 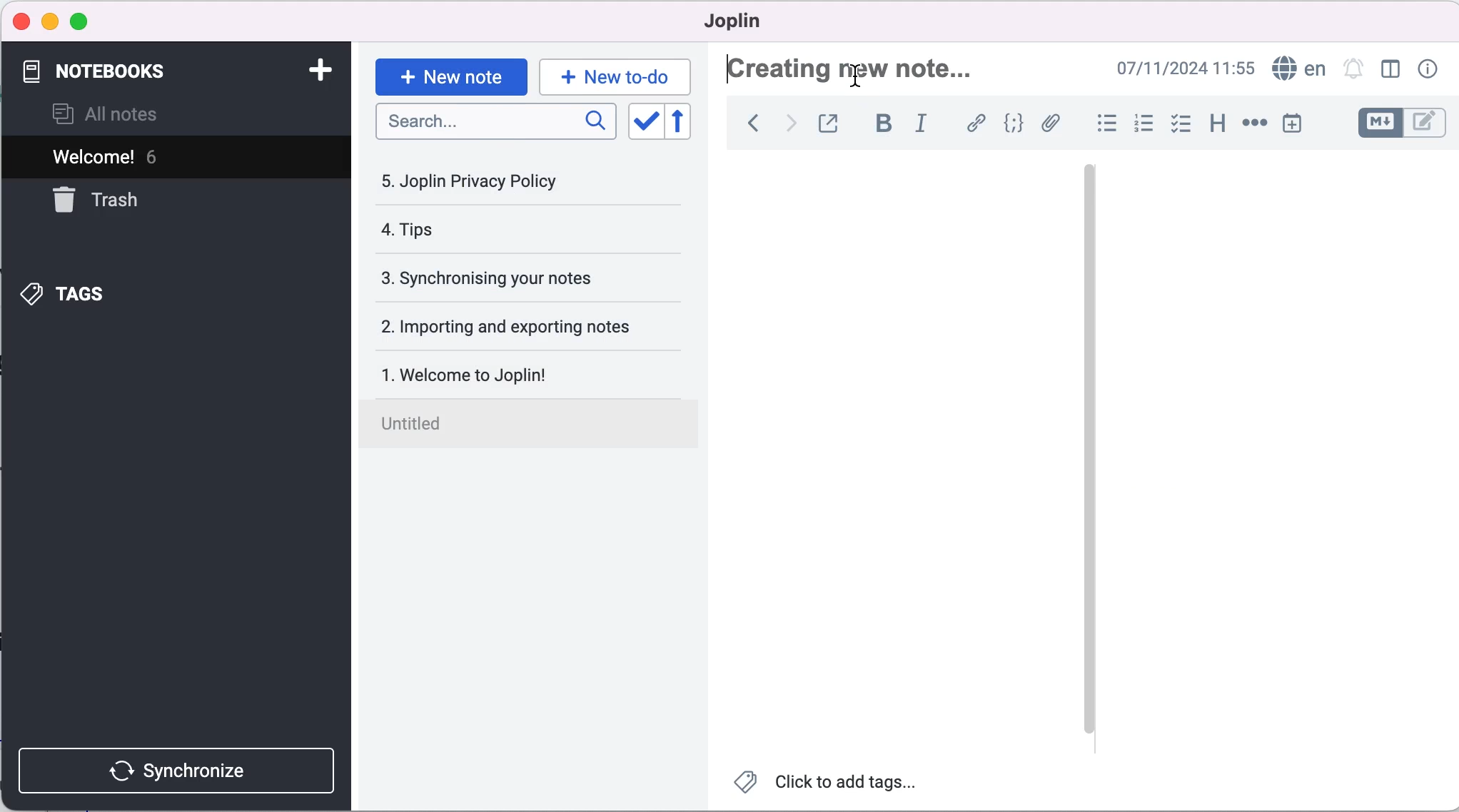 I want to click on all notes, so click(x=128, y=113).